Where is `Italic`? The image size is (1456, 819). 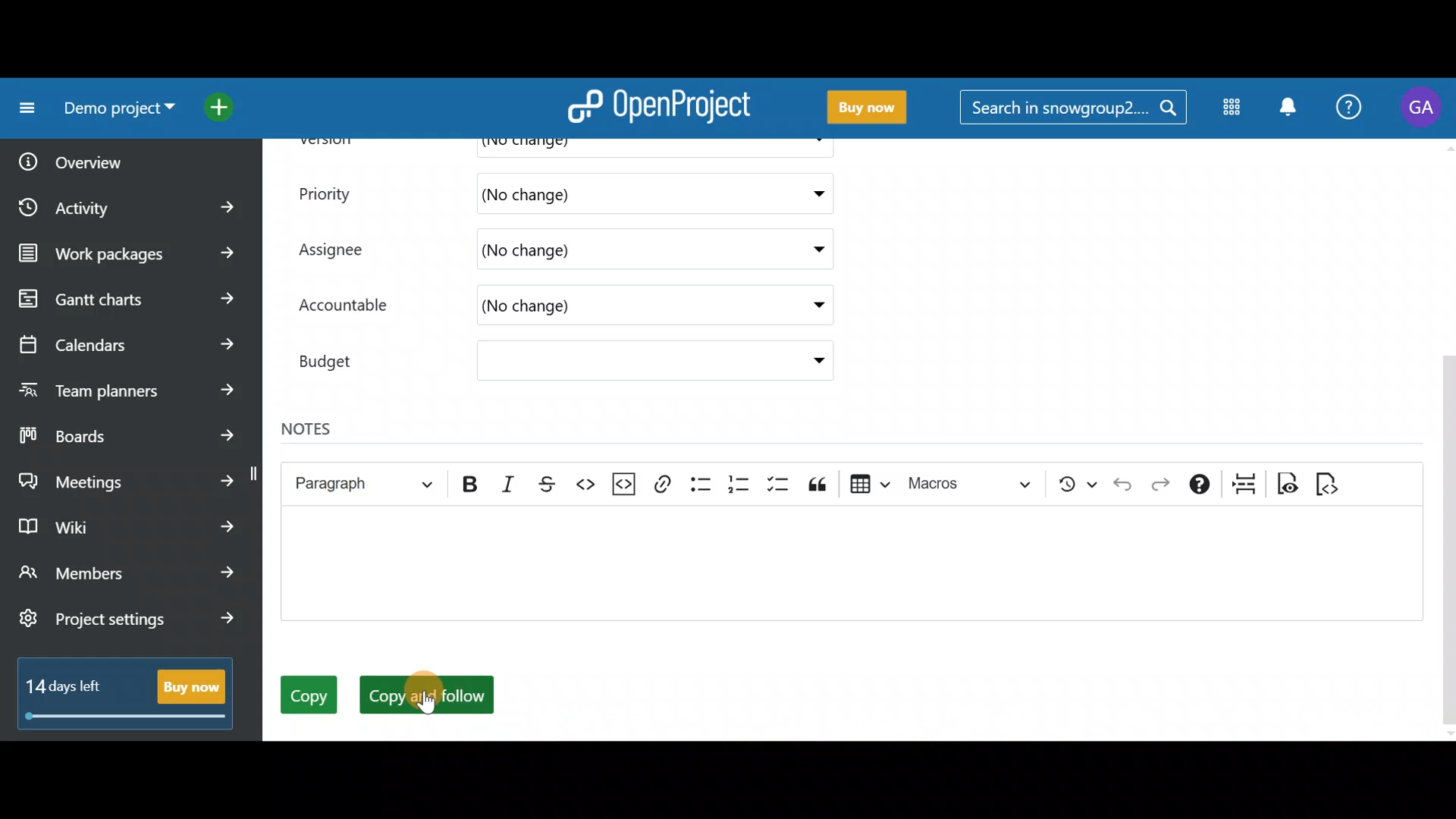 Italic is located at coordinates (515, 486).